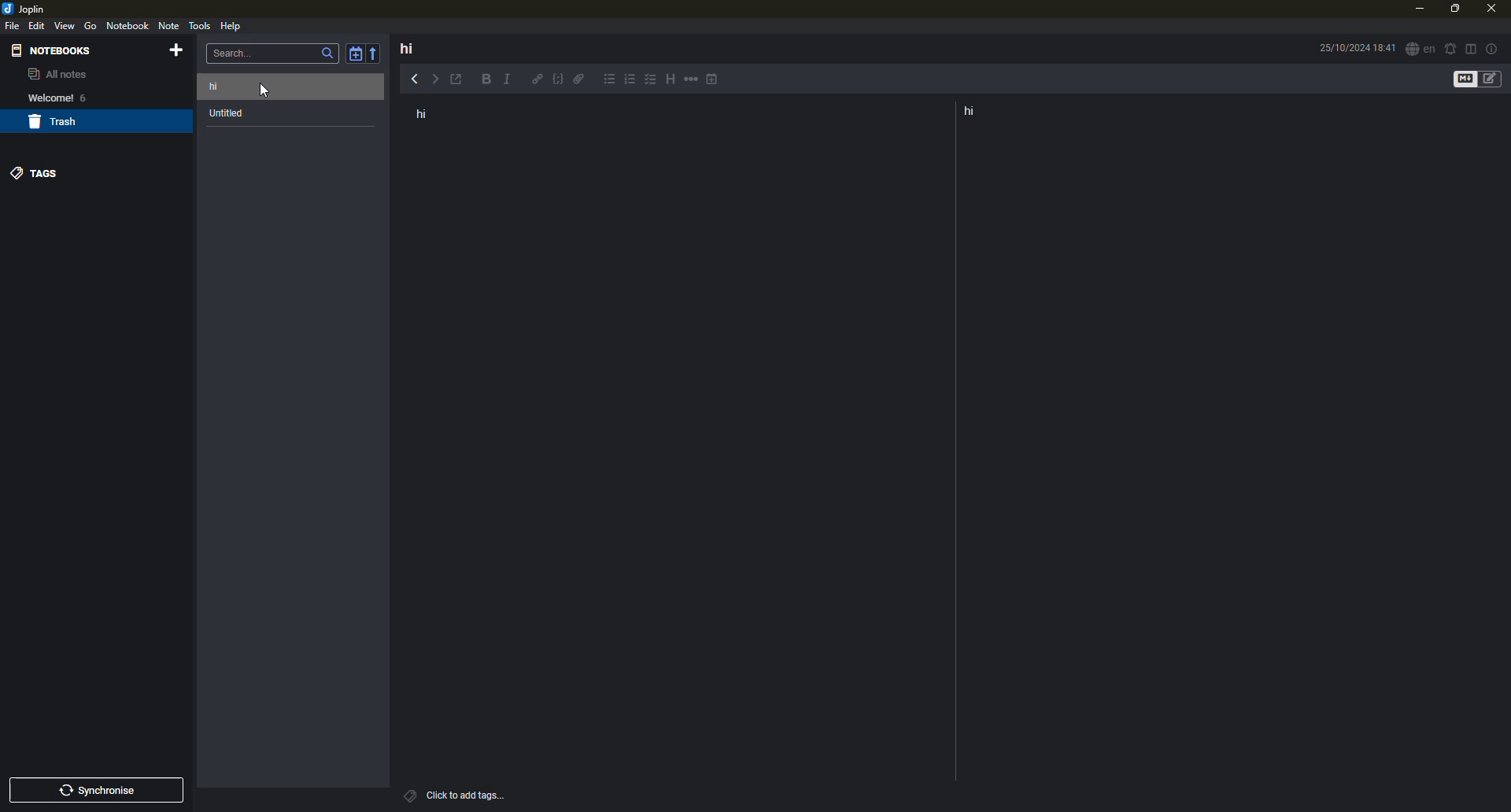 The height and width of the screenshot is (812, 1511). Describe the element at coordinates (408, 795) in the screenshot. I see `tags` at that location.